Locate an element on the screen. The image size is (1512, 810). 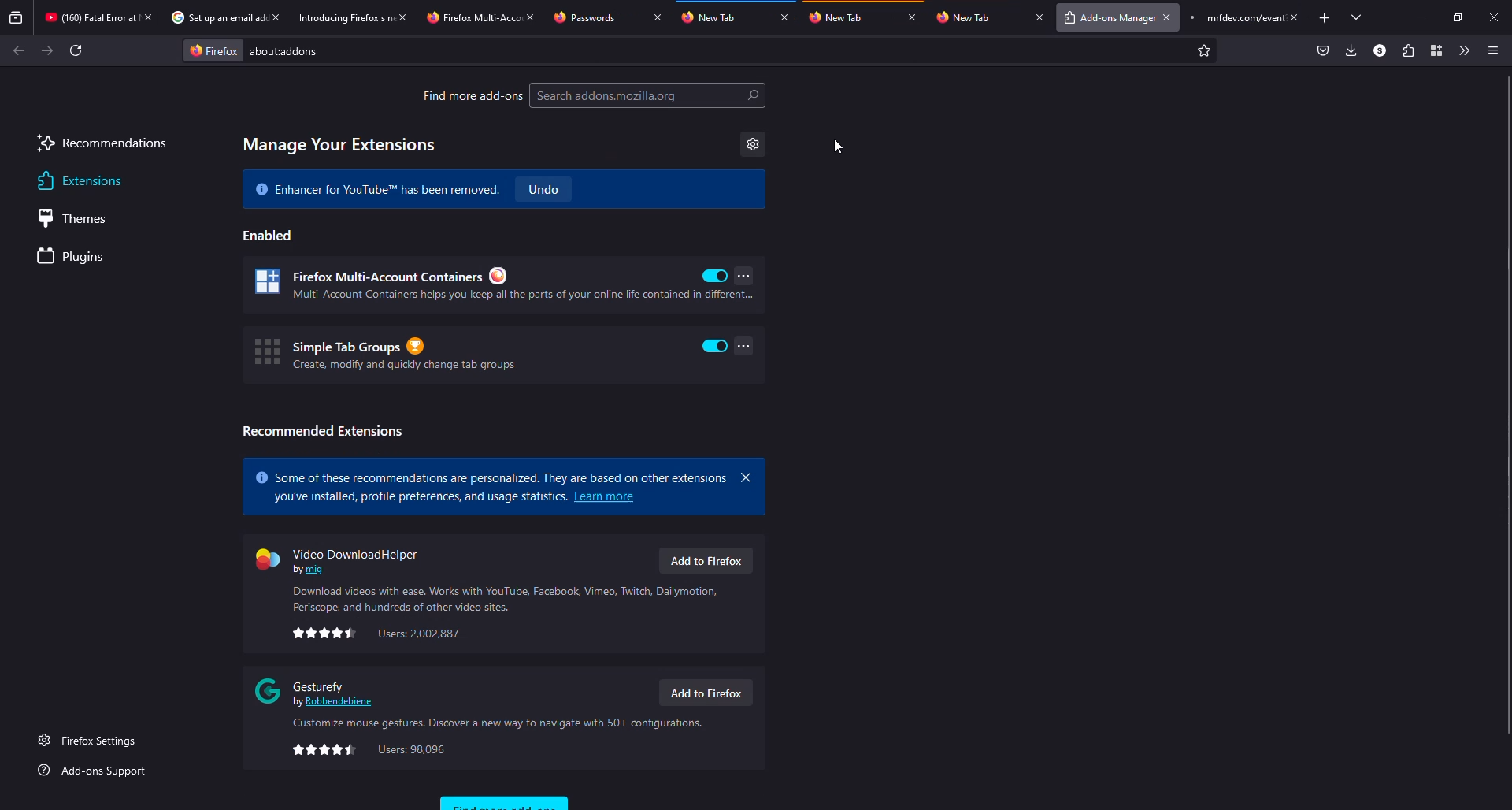
addons is located at coordinates (290, 51).